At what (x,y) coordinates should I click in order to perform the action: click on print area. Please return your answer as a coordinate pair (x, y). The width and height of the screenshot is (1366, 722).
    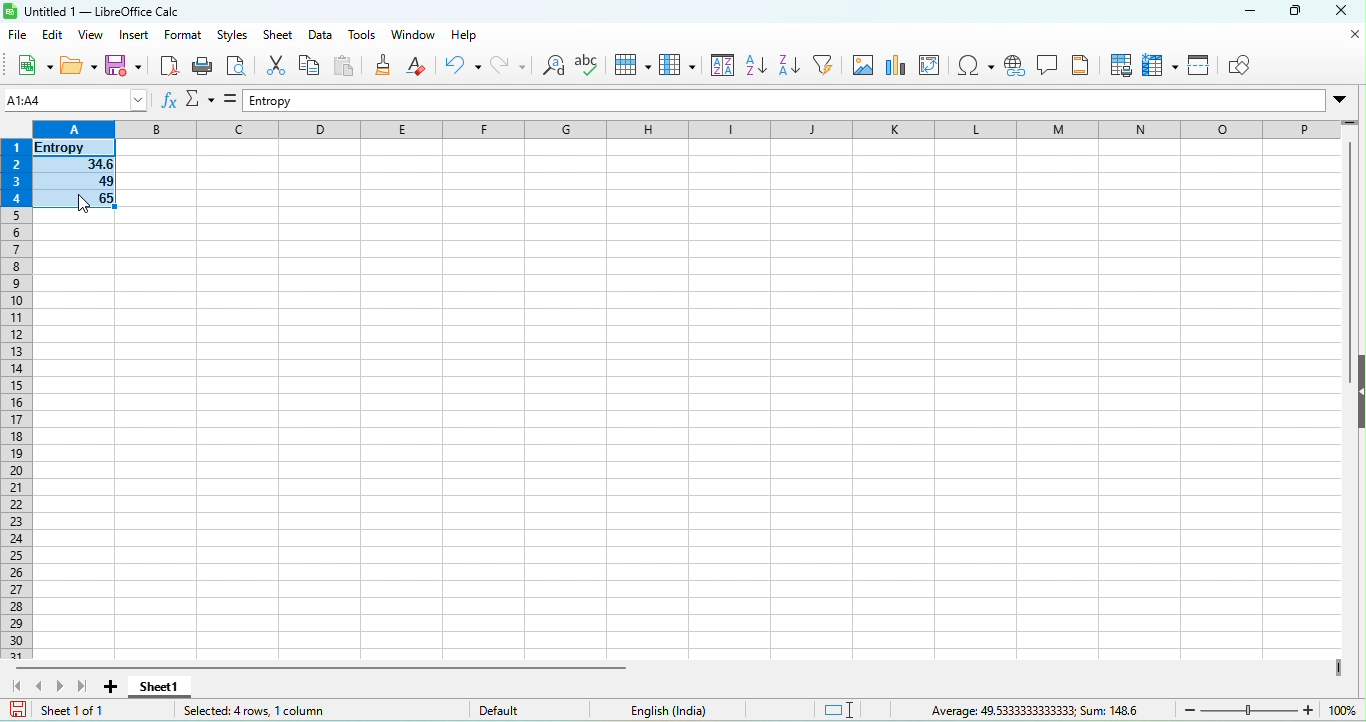
    Looking at the image, I should click on (1121, 69).